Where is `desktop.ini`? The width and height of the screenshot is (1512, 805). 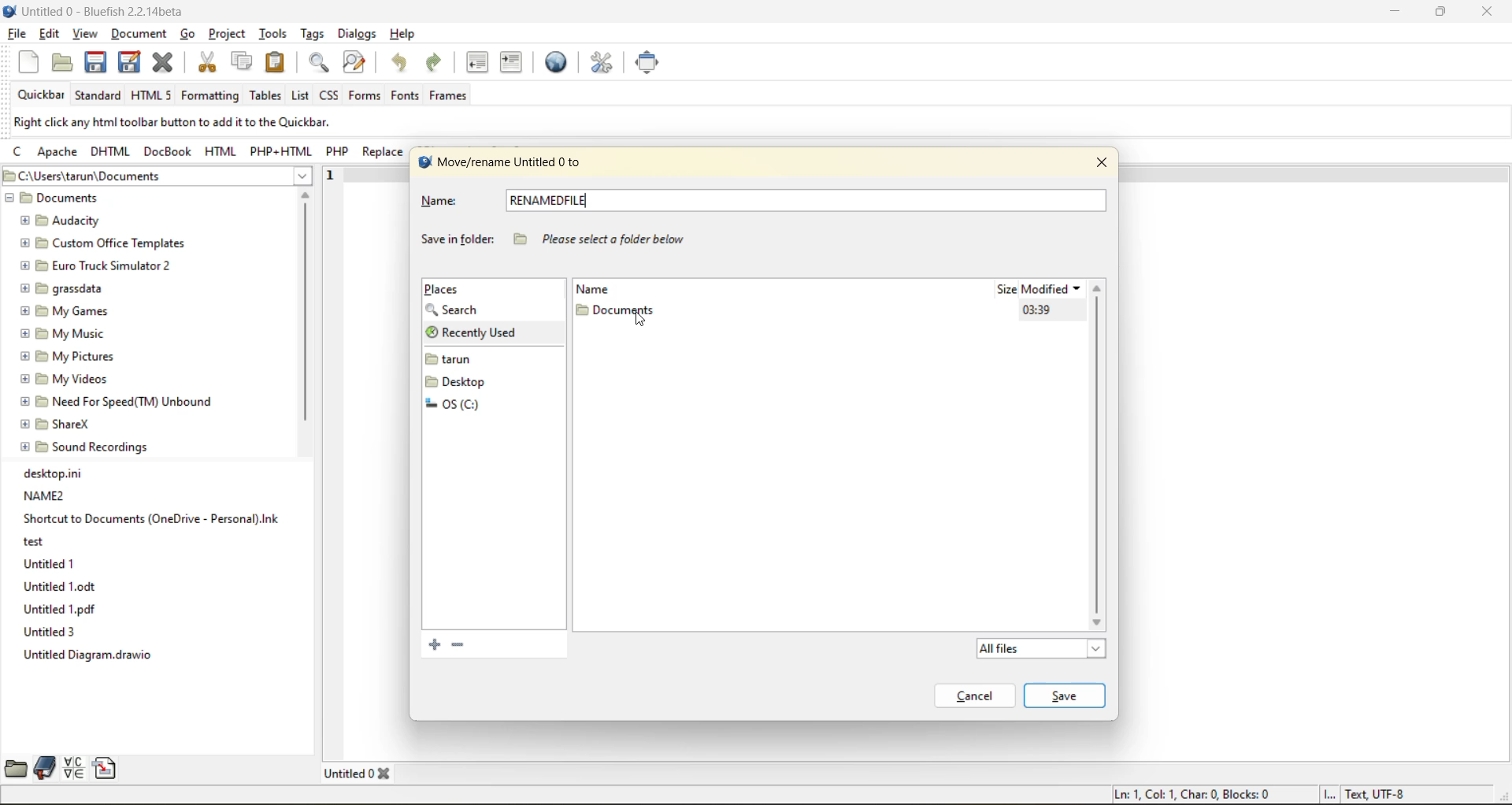
desktop.ini is located at coordinates (57, 472).